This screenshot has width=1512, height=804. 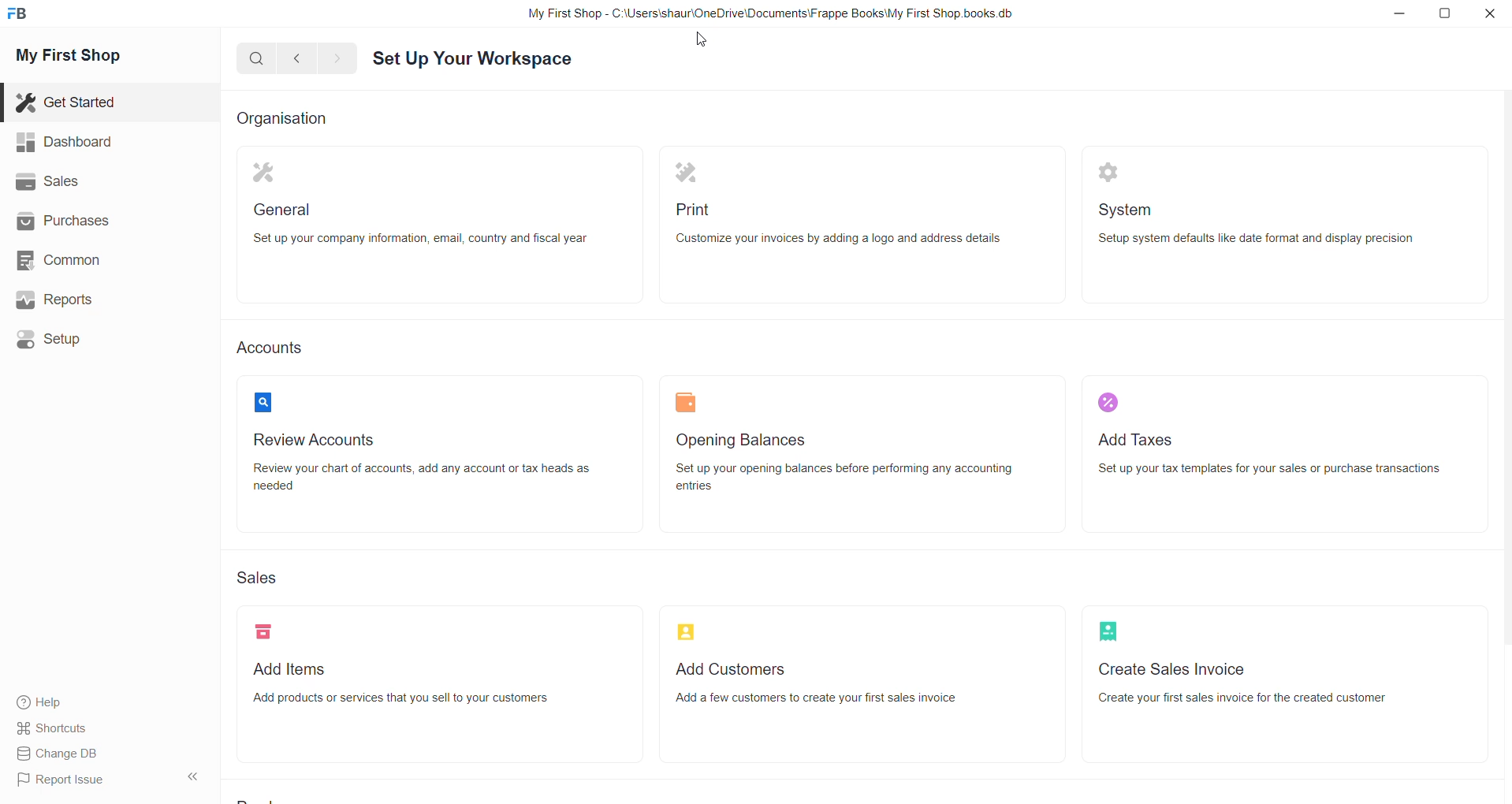 I want to click on Print, so click(x=846, y=213).